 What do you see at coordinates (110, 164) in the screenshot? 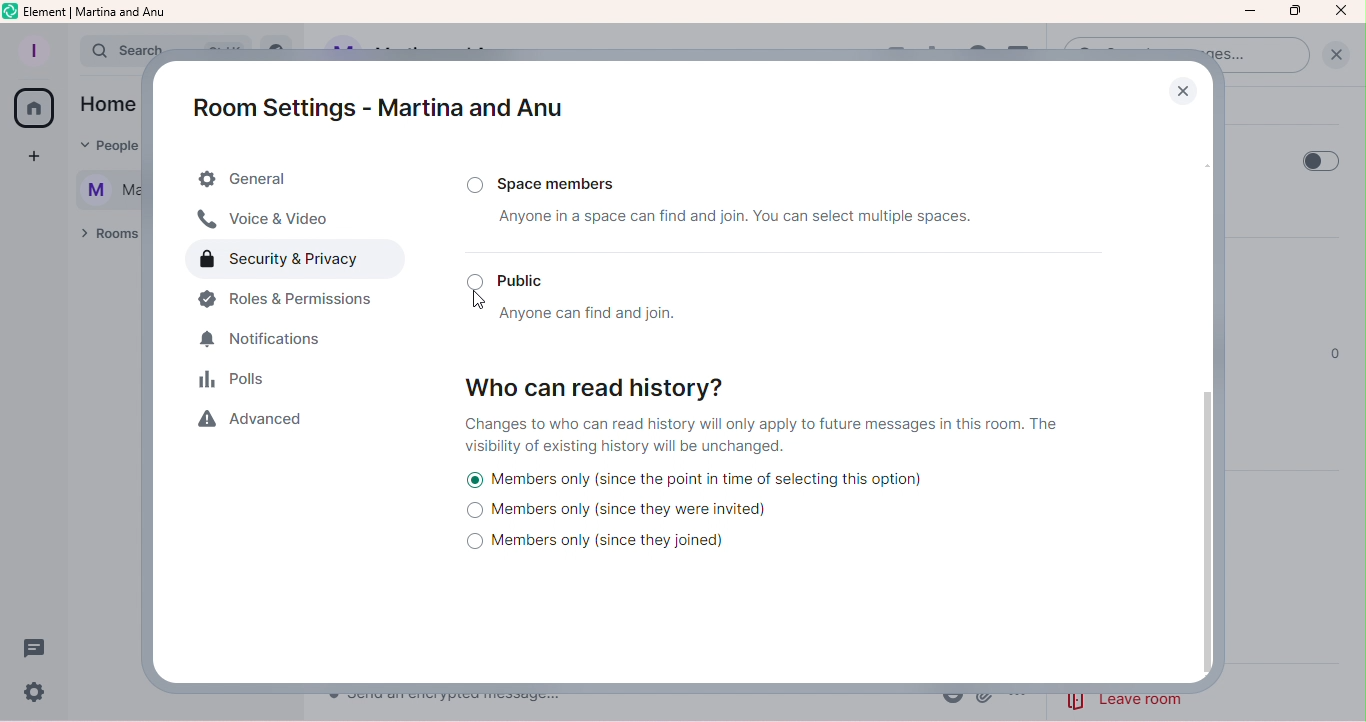
I see `text` at bounding box center [110, 164].